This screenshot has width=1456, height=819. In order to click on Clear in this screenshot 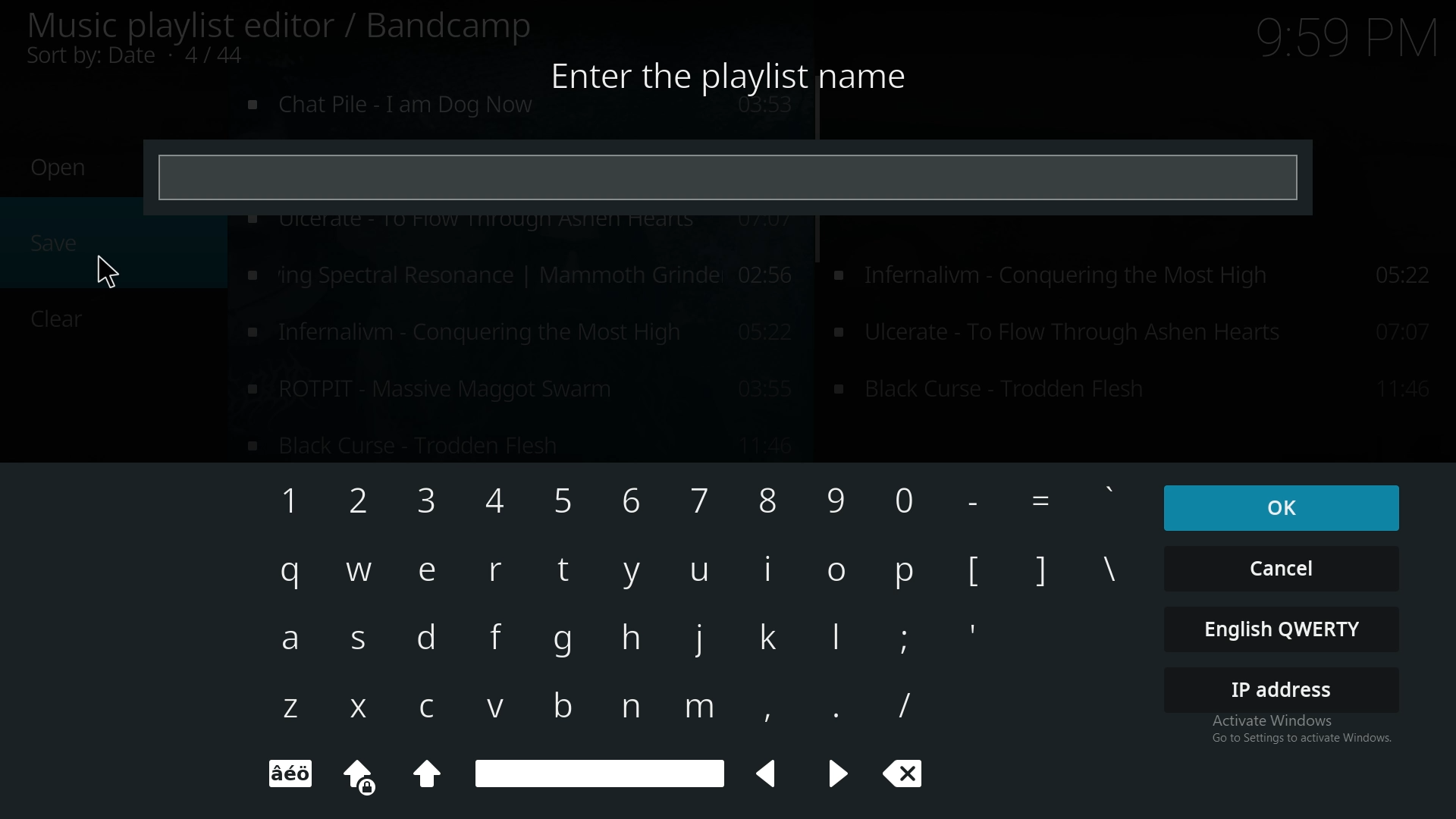, I will do `click(50, 321)`.